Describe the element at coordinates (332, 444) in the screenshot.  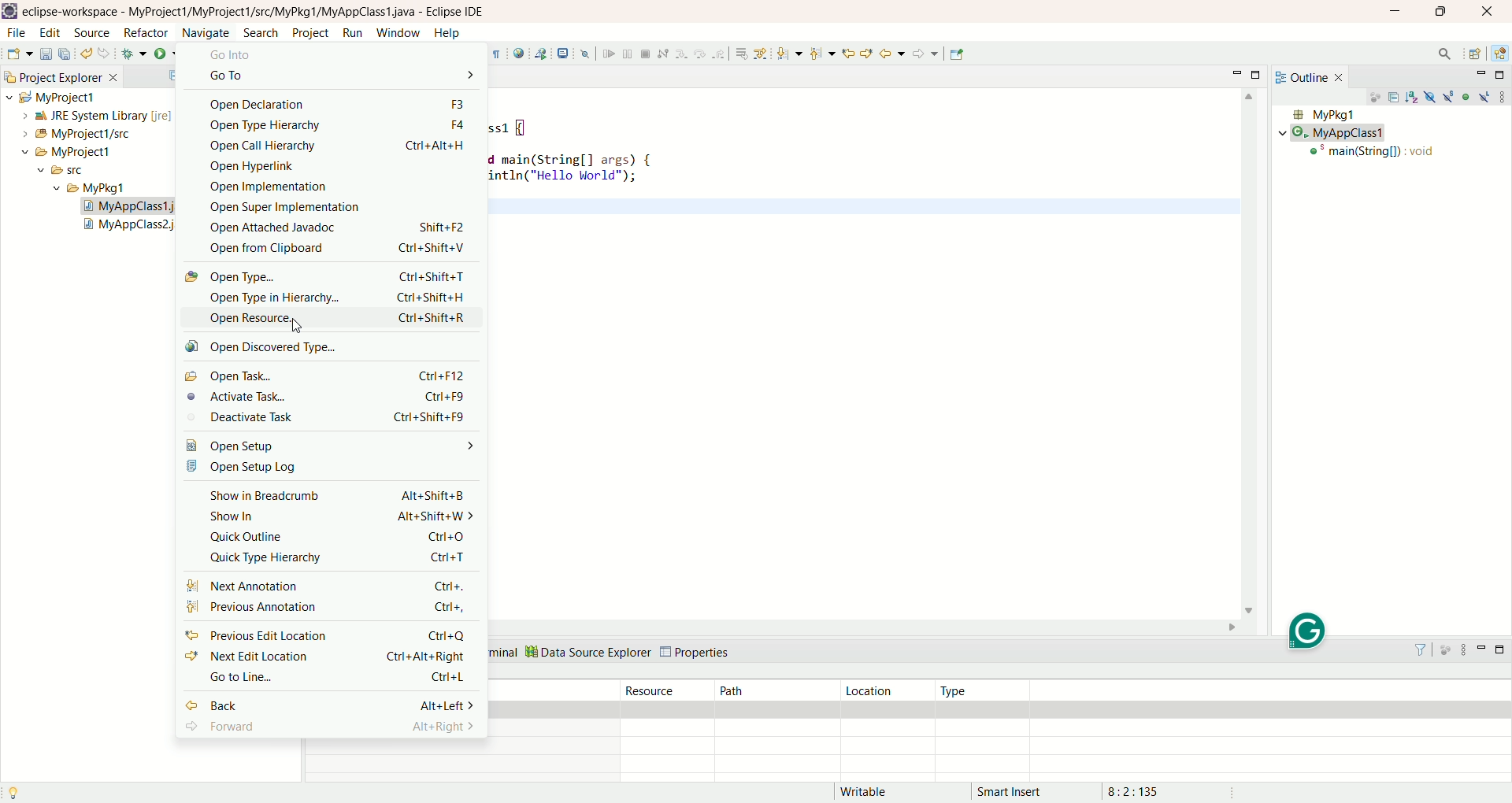
I see `open setup` at that location.